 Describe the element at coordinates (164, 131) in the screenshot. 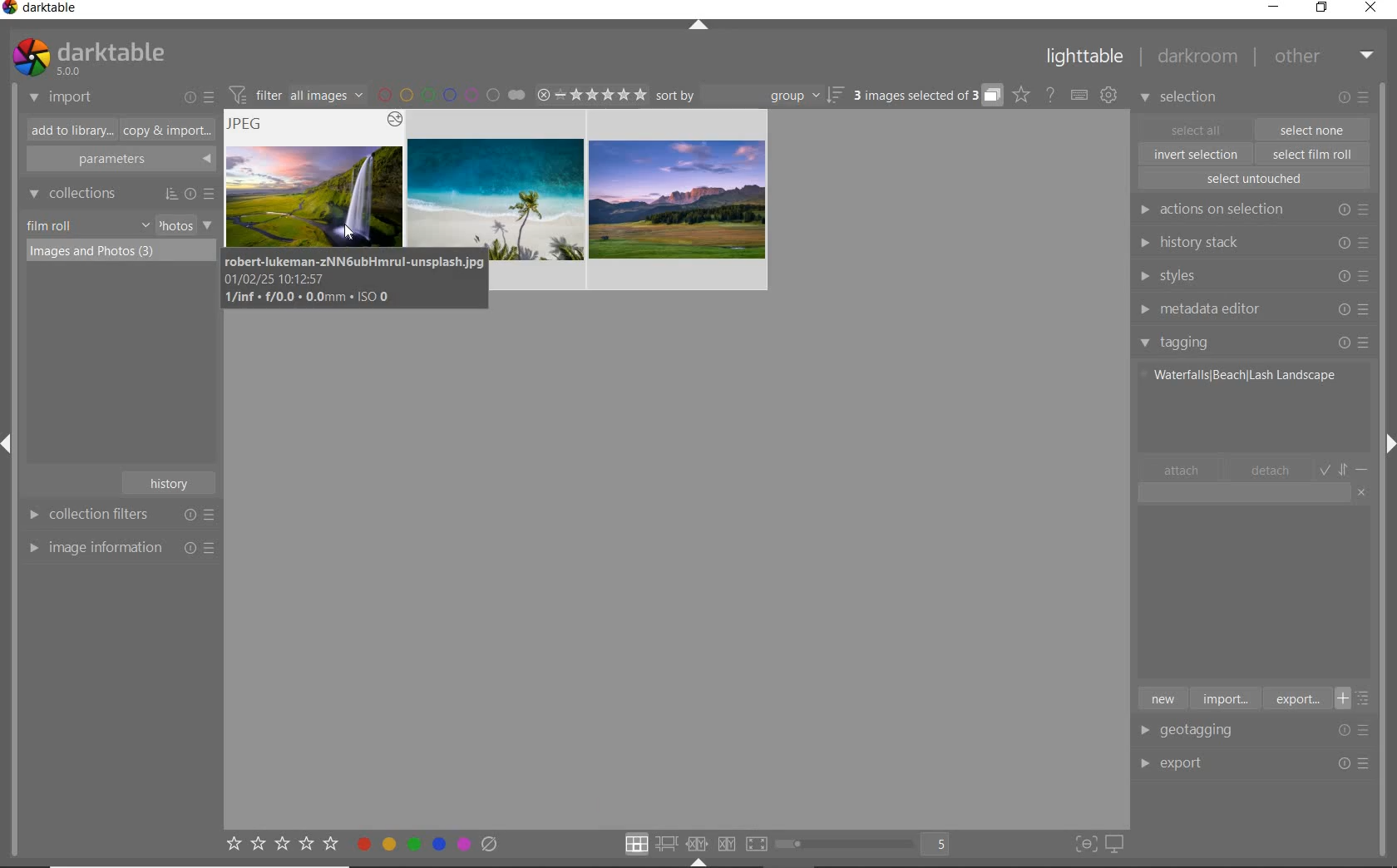

I see `copy & import` at that location.